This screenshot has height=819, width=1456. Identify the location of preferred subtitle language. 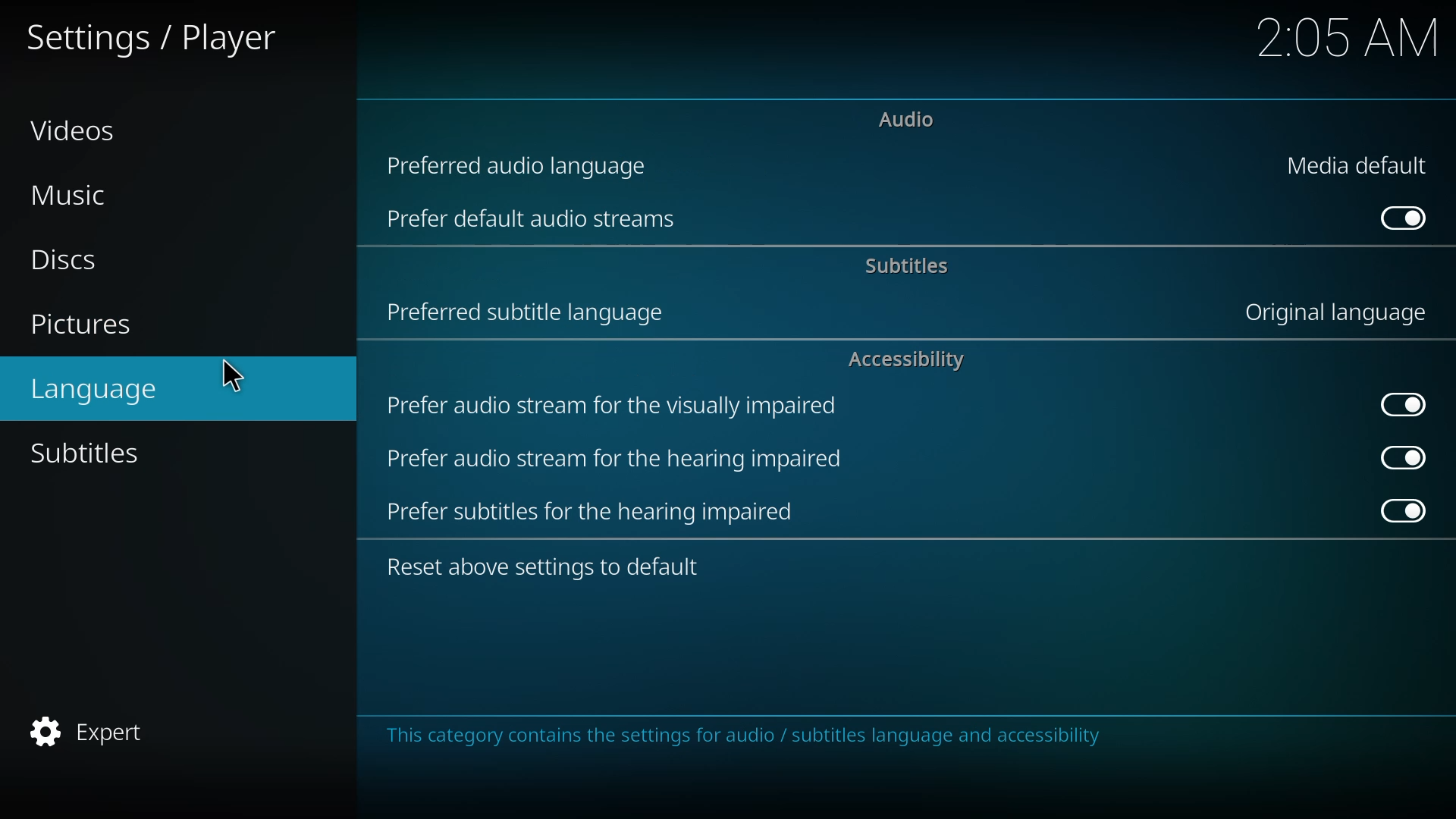
(528, 311).